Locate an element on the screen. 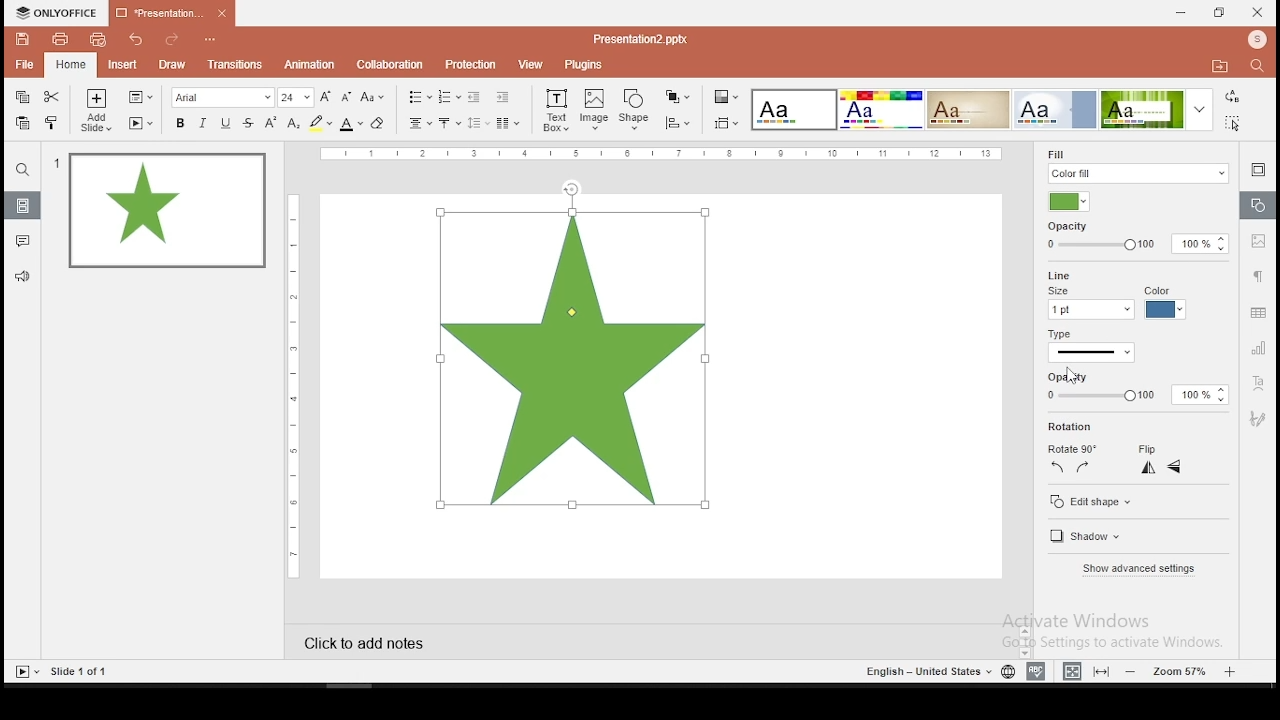 The height and width of the screenshot is (720, 1280). fit to slide is located at coordinates (1101, 671).